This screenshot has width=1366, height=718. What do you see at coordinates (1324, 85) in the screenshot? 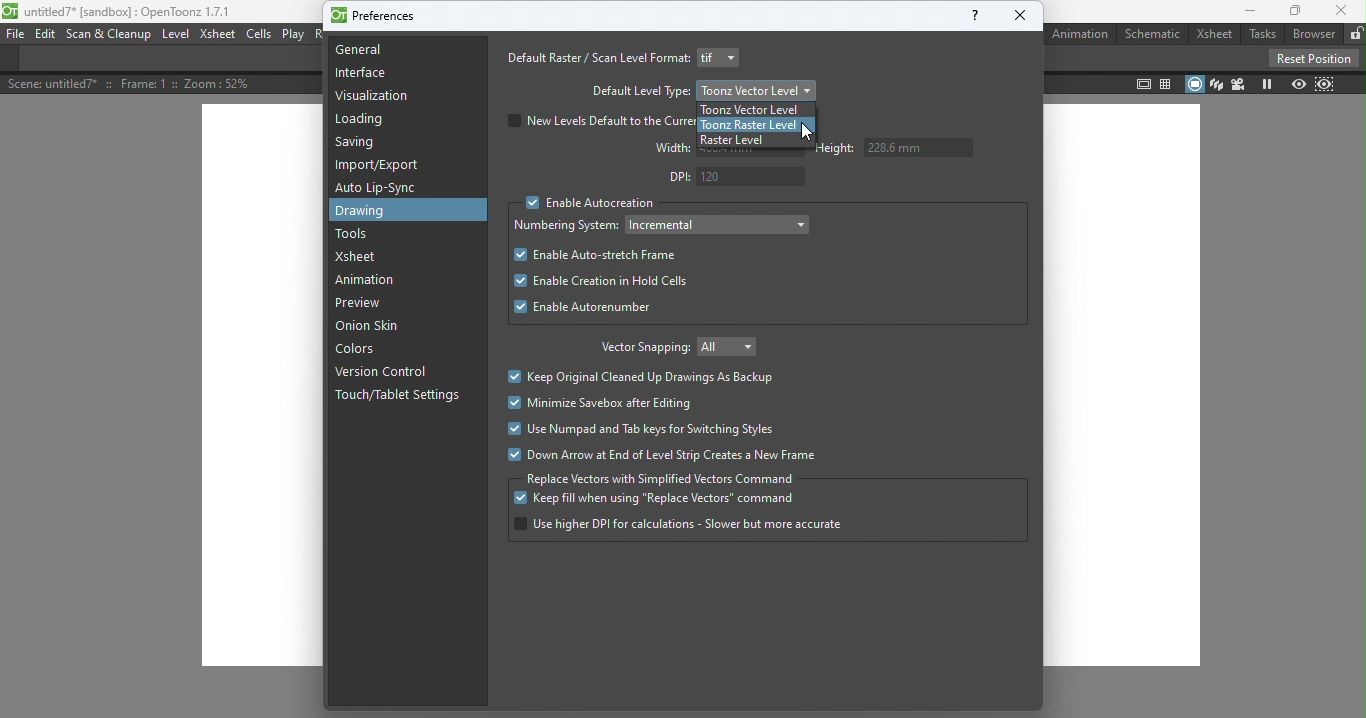
I see `Sub-camera preview` at bounding box center [1324, 85].